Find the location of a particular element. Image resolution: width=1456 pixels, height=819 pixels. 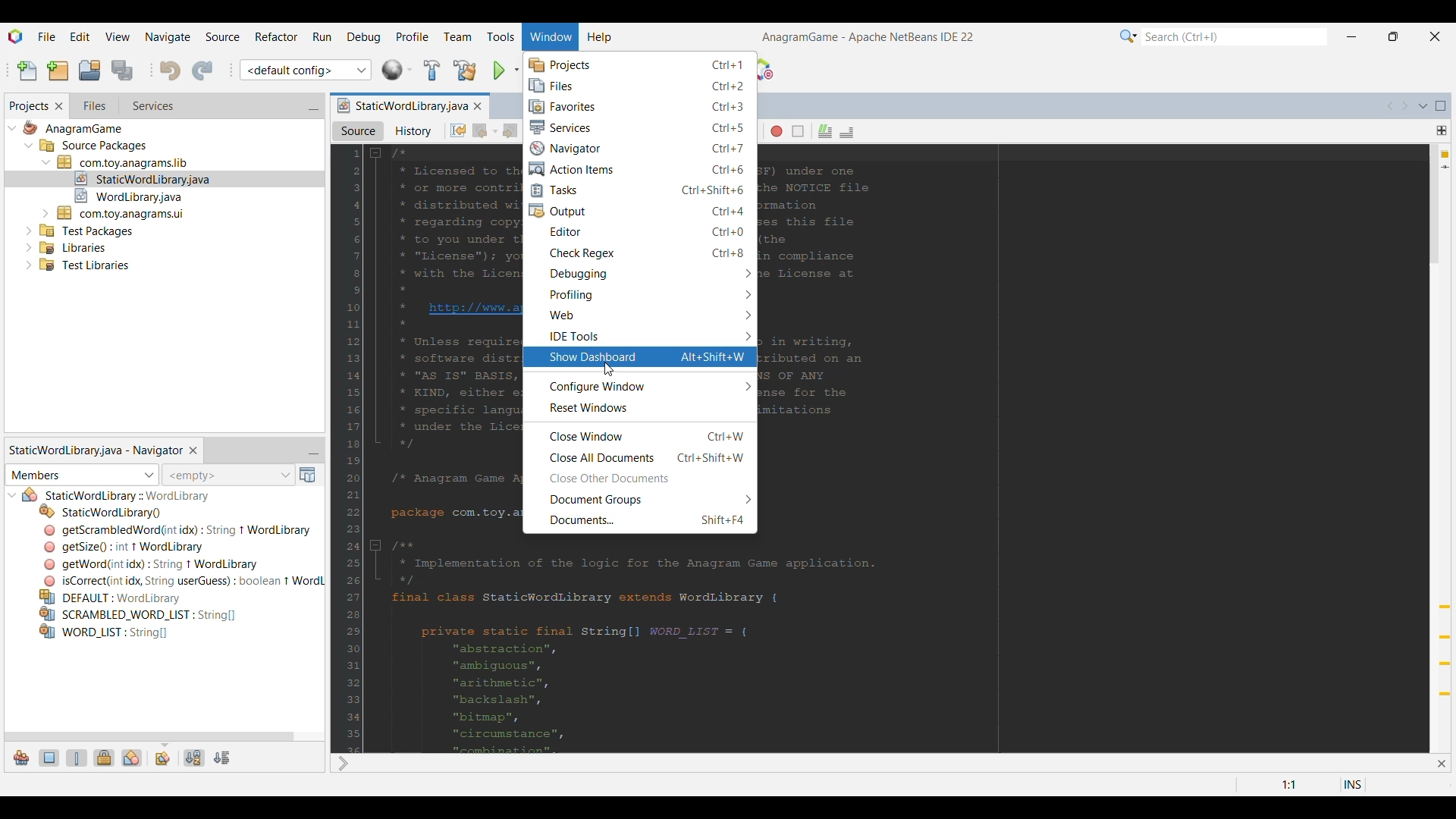

Navigator is located at coordinates (640, 149).